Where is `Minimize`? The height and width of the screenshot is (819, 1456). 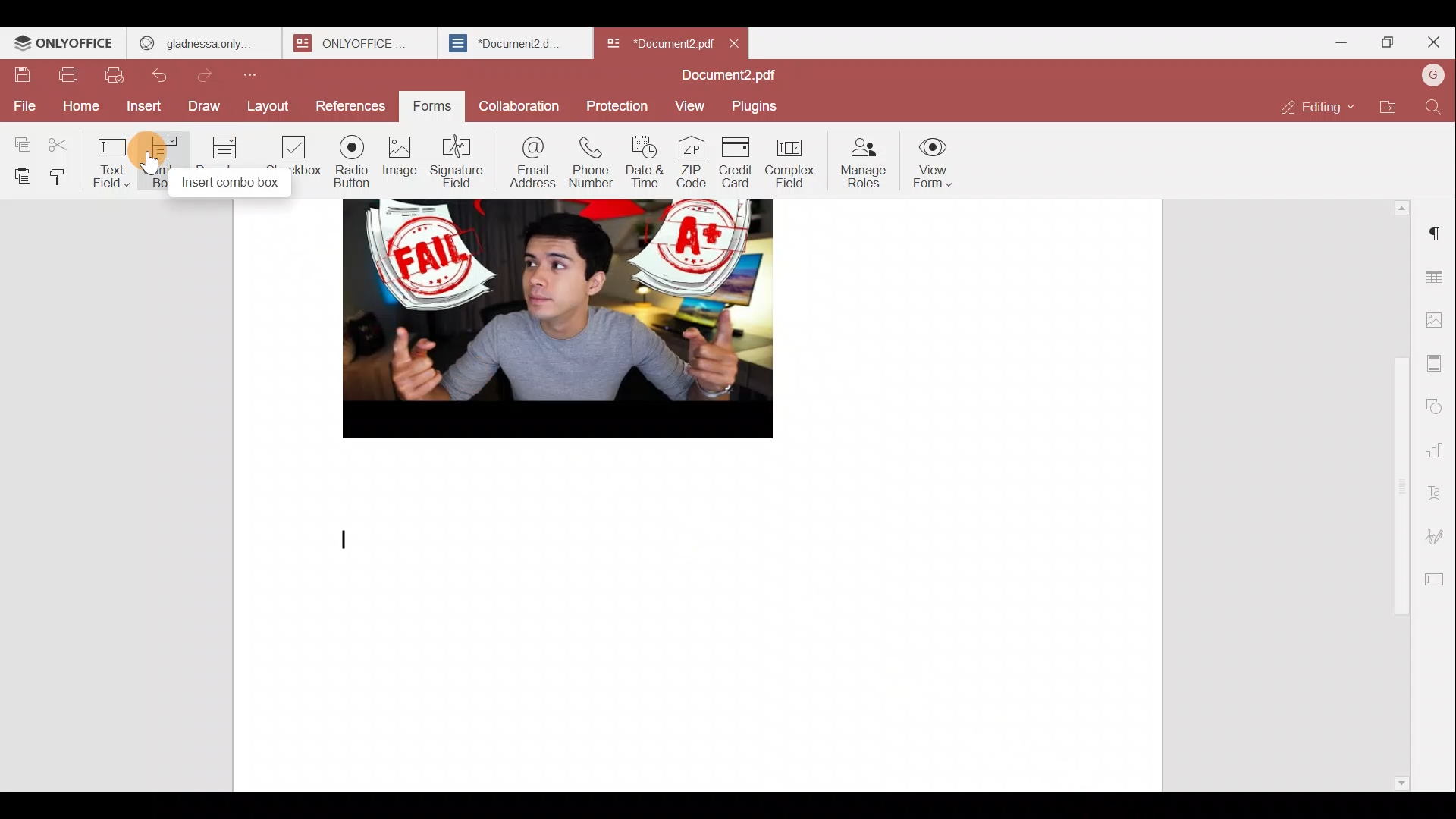
Minimize is located at coordinates (1329, 45).